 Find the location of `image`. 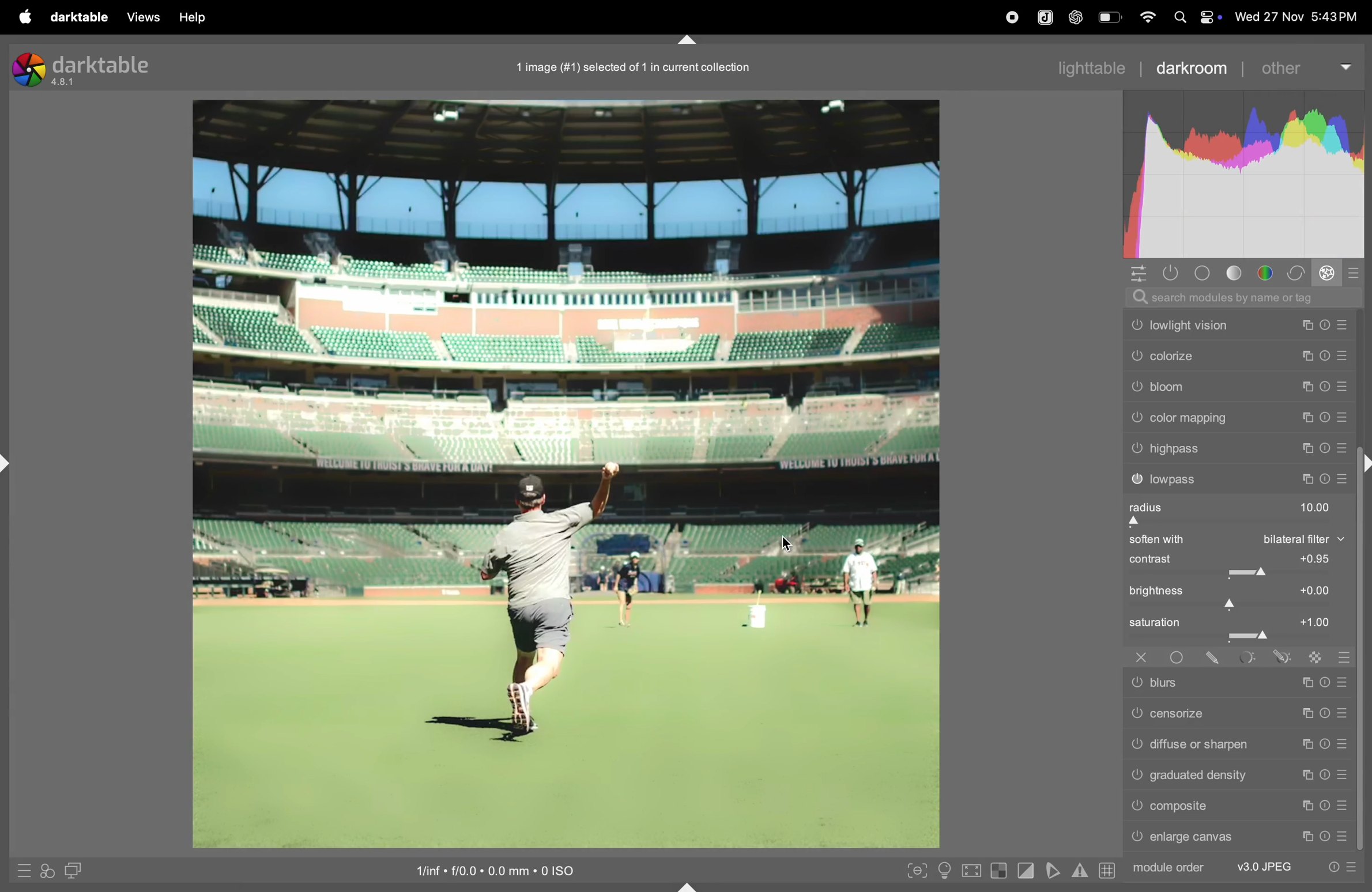

image is located at coordinates (566, 471).